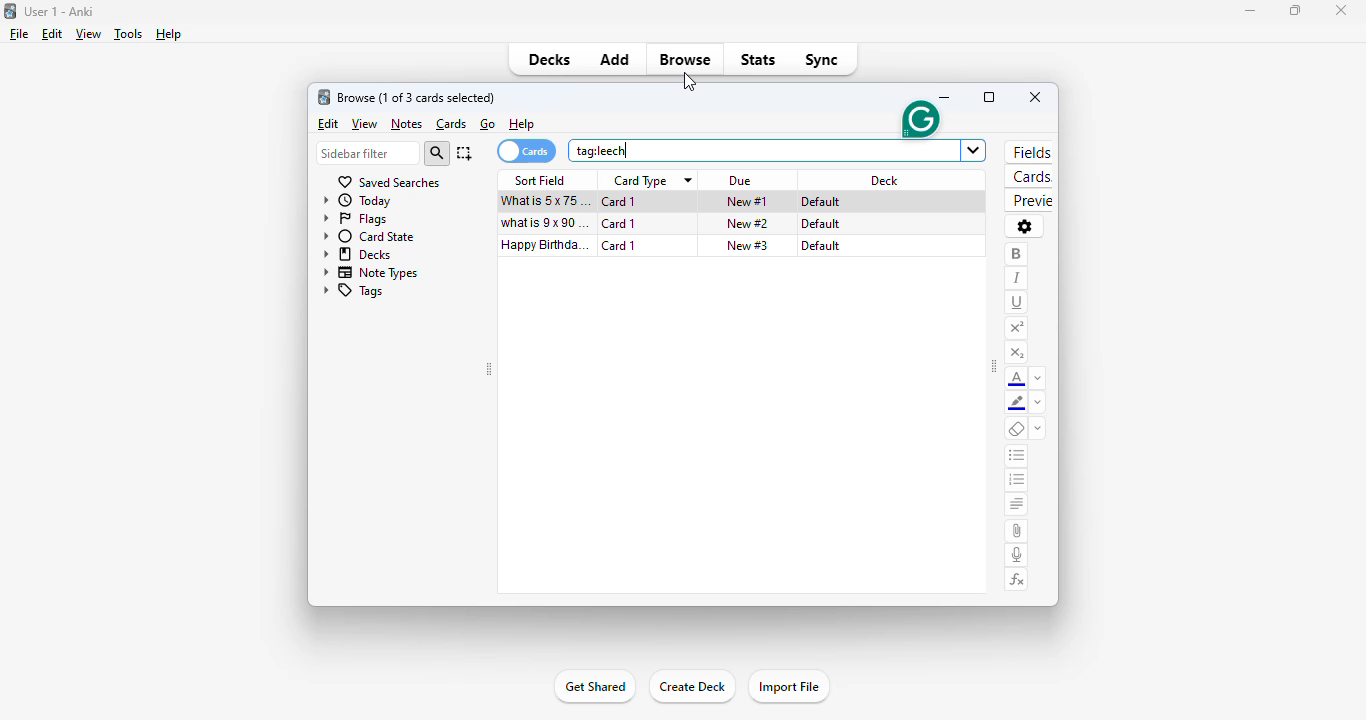 The width and height of the screenshot is (1366, 720). Describe the element at coordinates (759, 60) in the screenshot. I see `stats` at that location.